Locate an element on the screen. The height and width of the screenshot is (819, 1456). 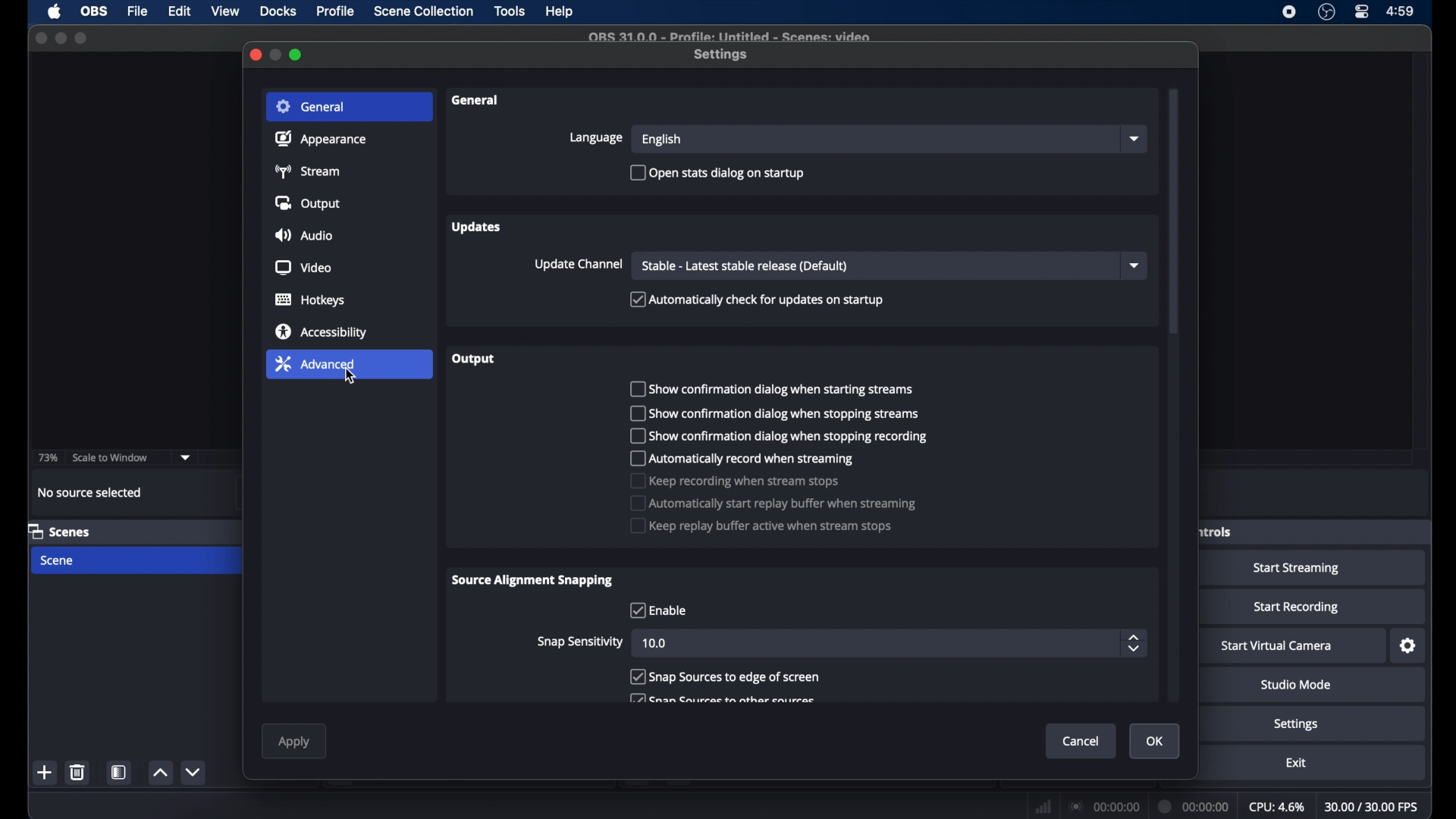
close is located at coordinates (40, 36).